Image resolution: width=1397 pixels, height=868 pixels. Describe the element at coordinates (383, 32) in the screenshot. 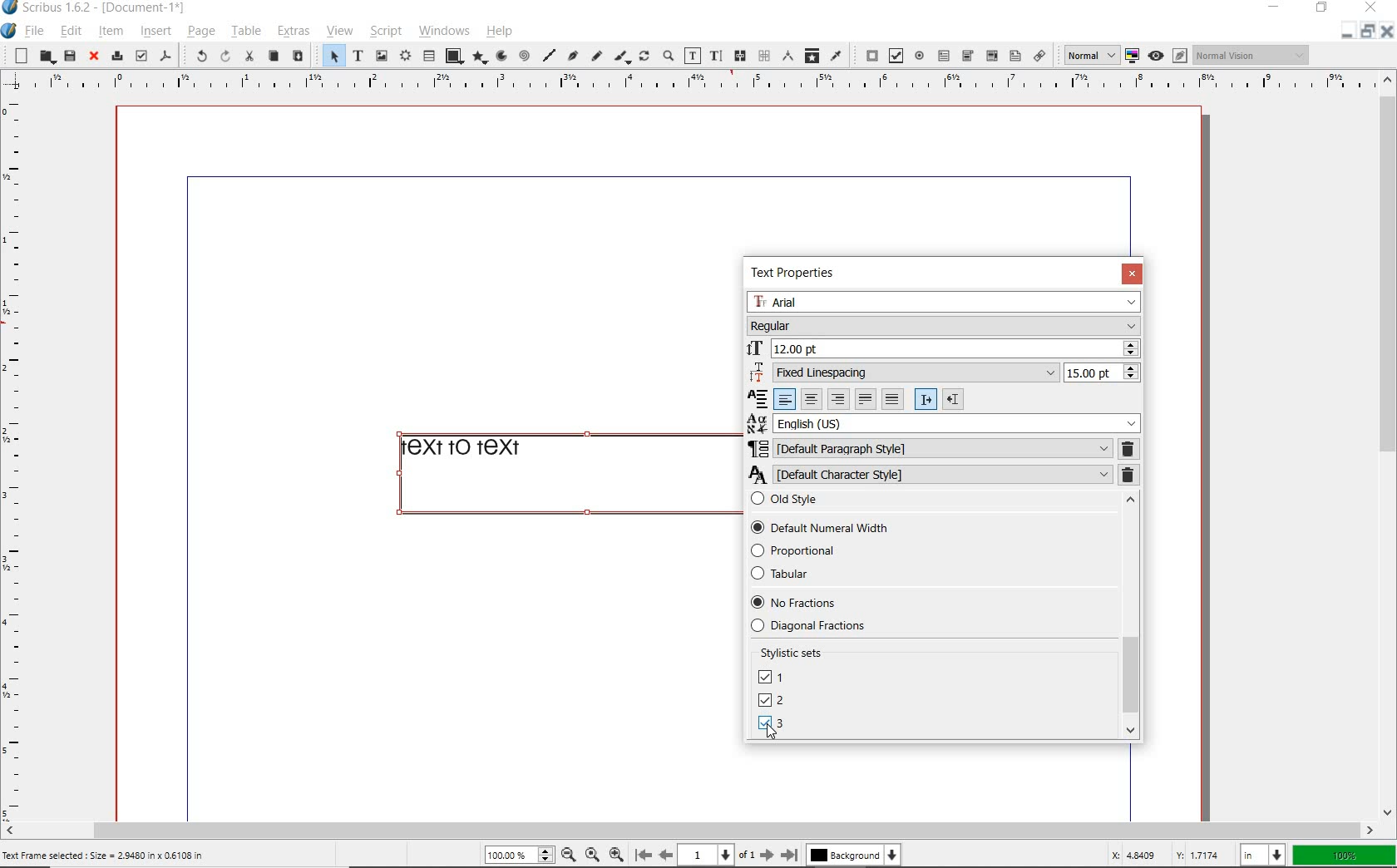

I see `script` at that location.